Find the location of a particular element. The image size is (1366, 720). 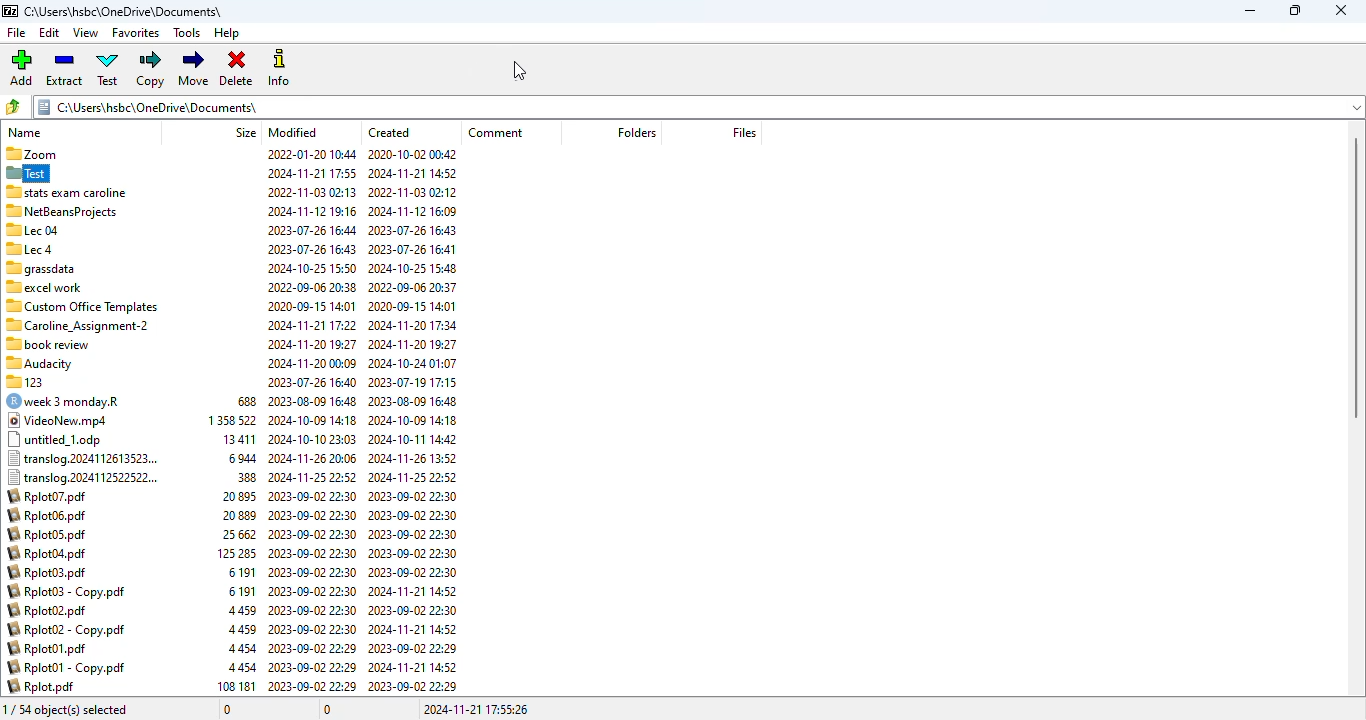

2023-09-02 22:30 is located at coordinates (313, 572).